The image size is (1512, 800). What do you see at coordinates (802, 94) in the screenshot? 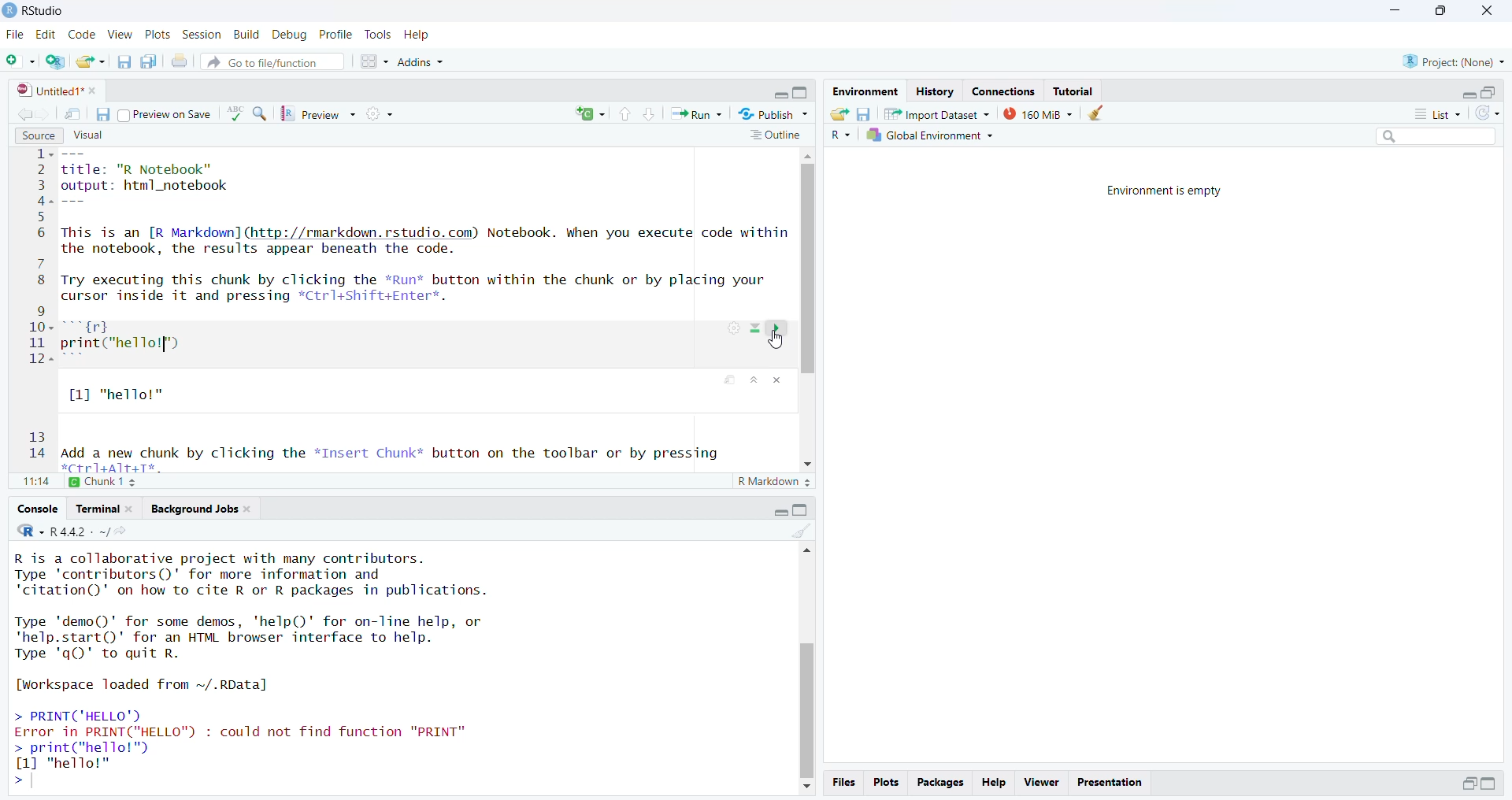
I see `collapse` at bounding box center [802, 94].